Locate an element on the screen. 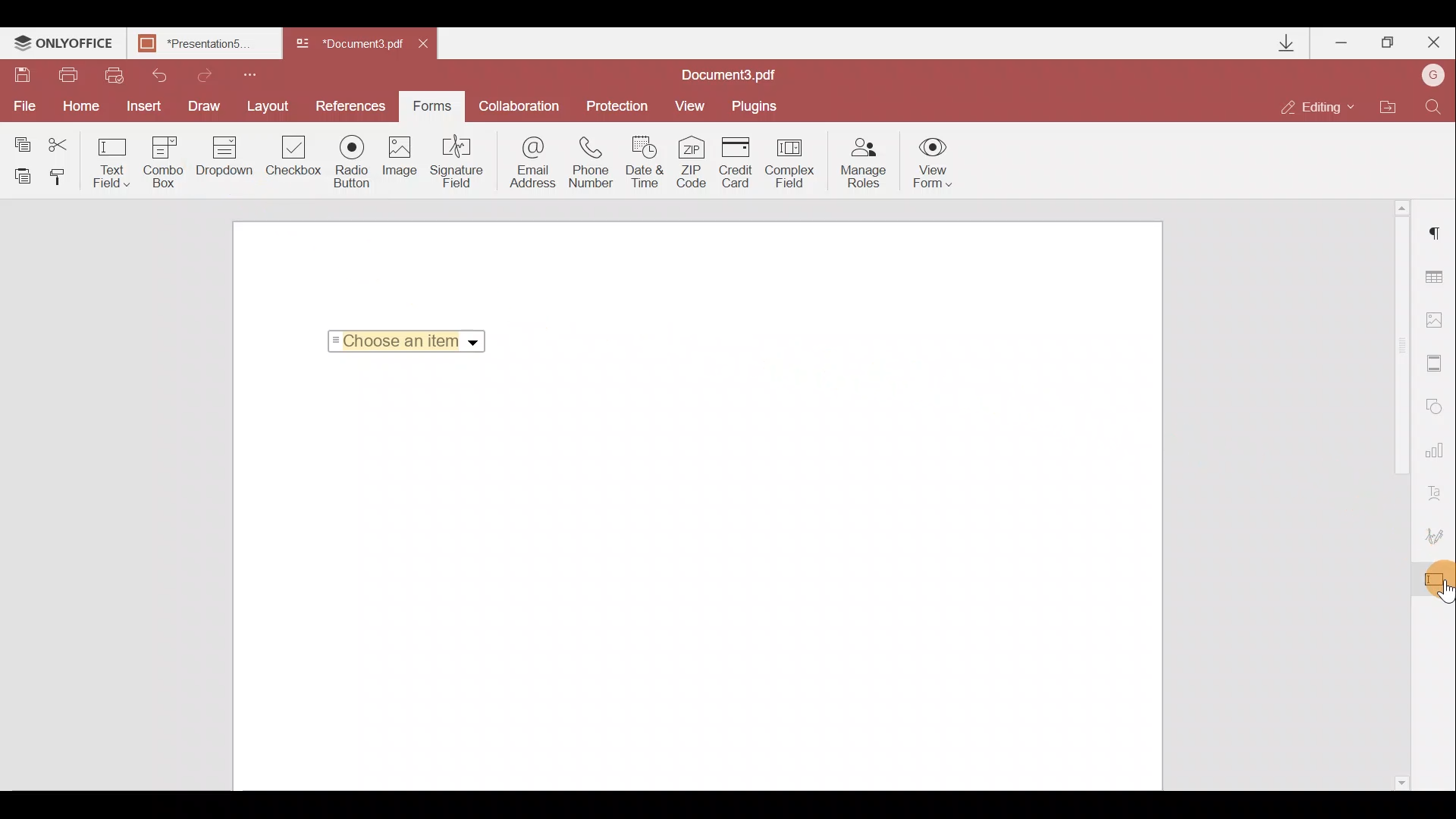  Complex field is located at coordinates (791, 162).